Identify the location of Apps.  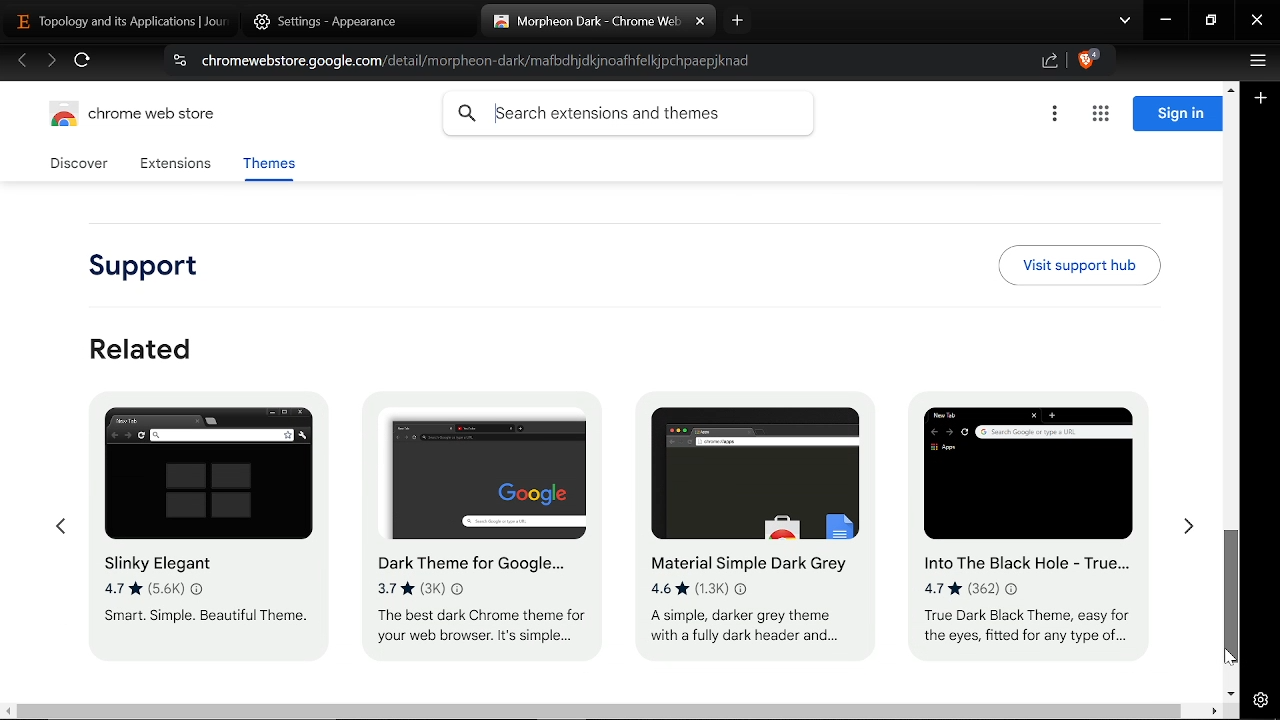
(1100, 115).